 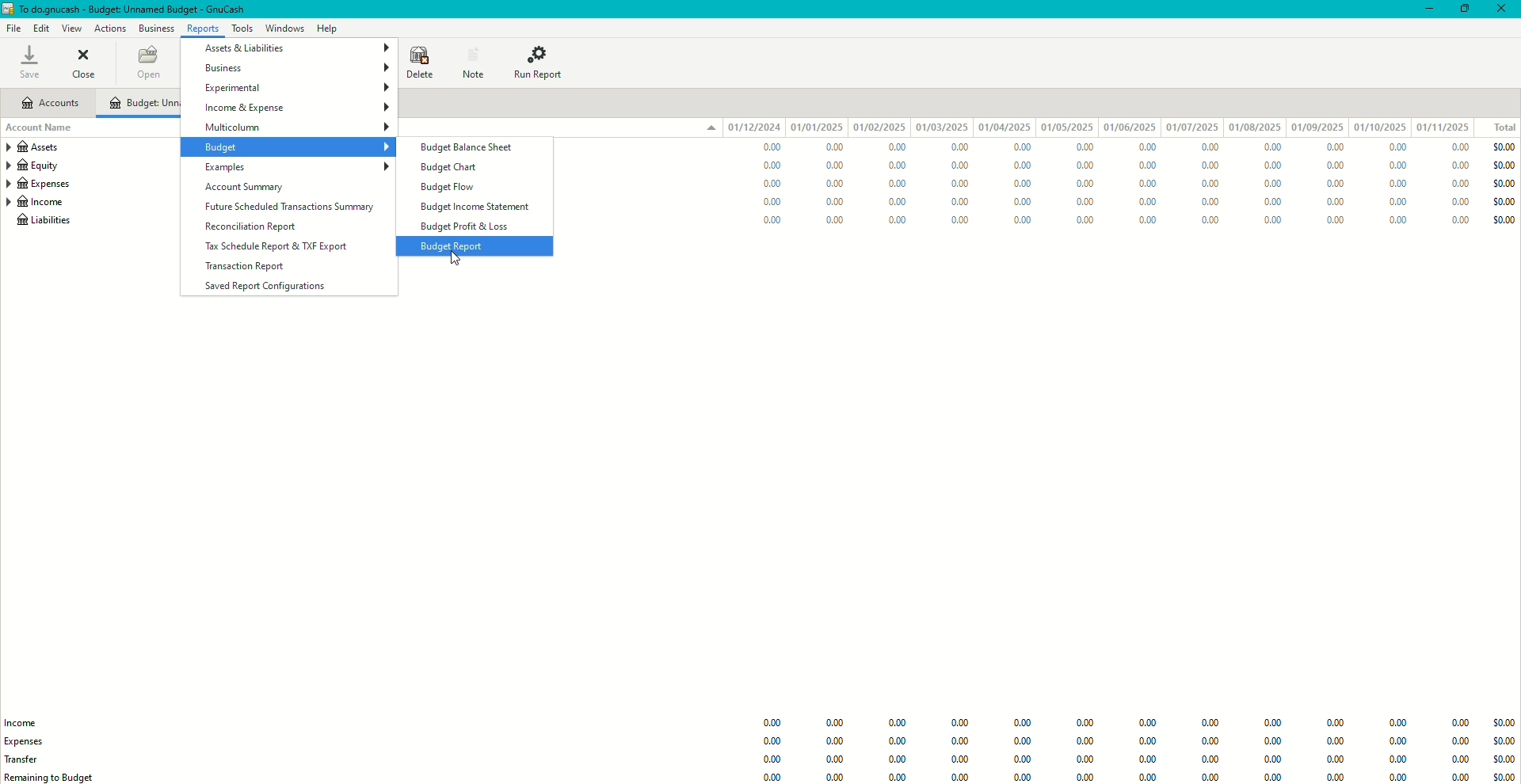 What do you see at coordinates (898, 218) in the screenshot?
I see `0.00` at bounding box center [898, 218].